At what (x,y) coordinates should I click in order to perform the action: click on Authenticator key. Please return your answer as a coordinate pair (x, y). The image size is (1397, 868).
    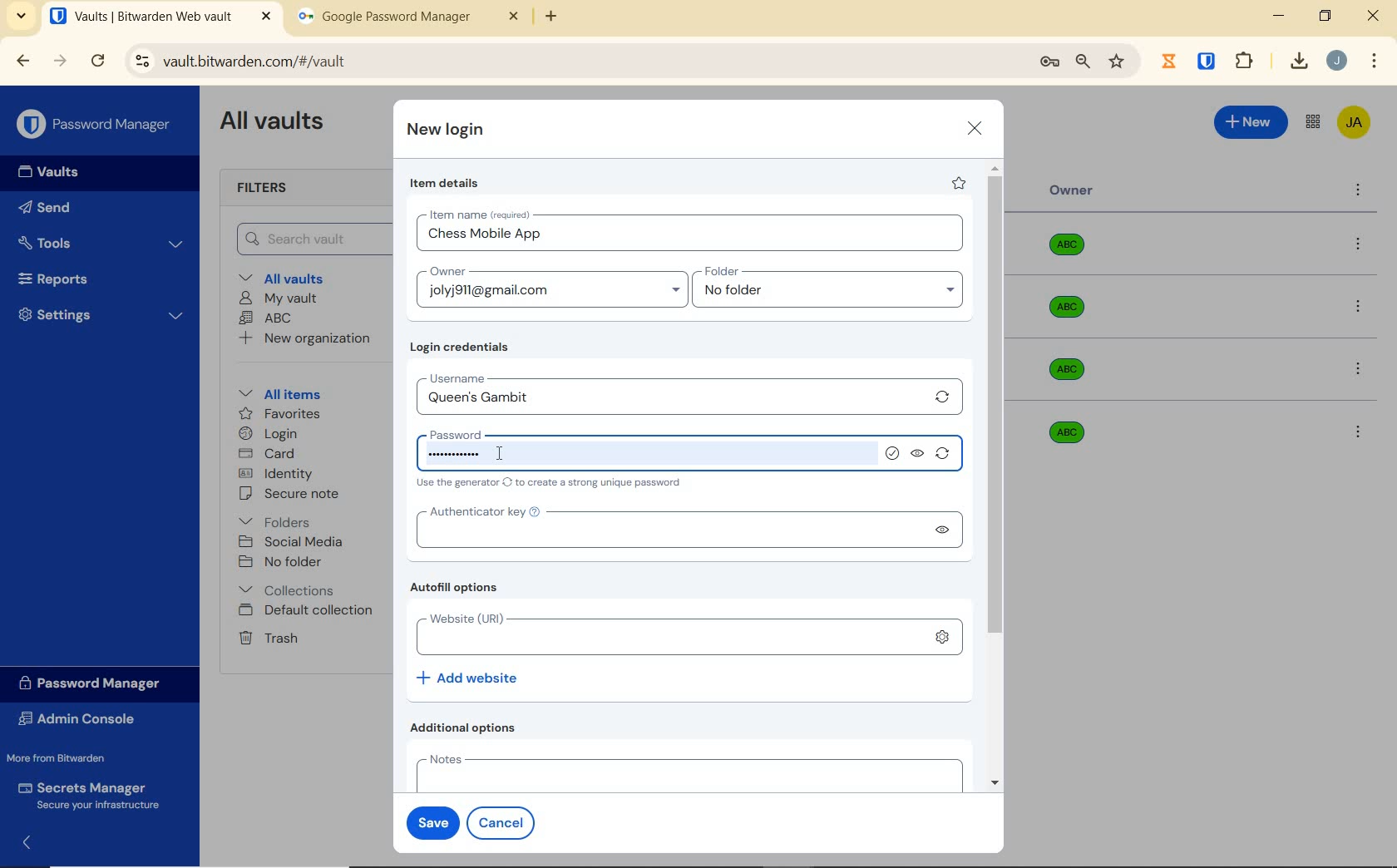
    Looking at the image, I should click on (663, 530).